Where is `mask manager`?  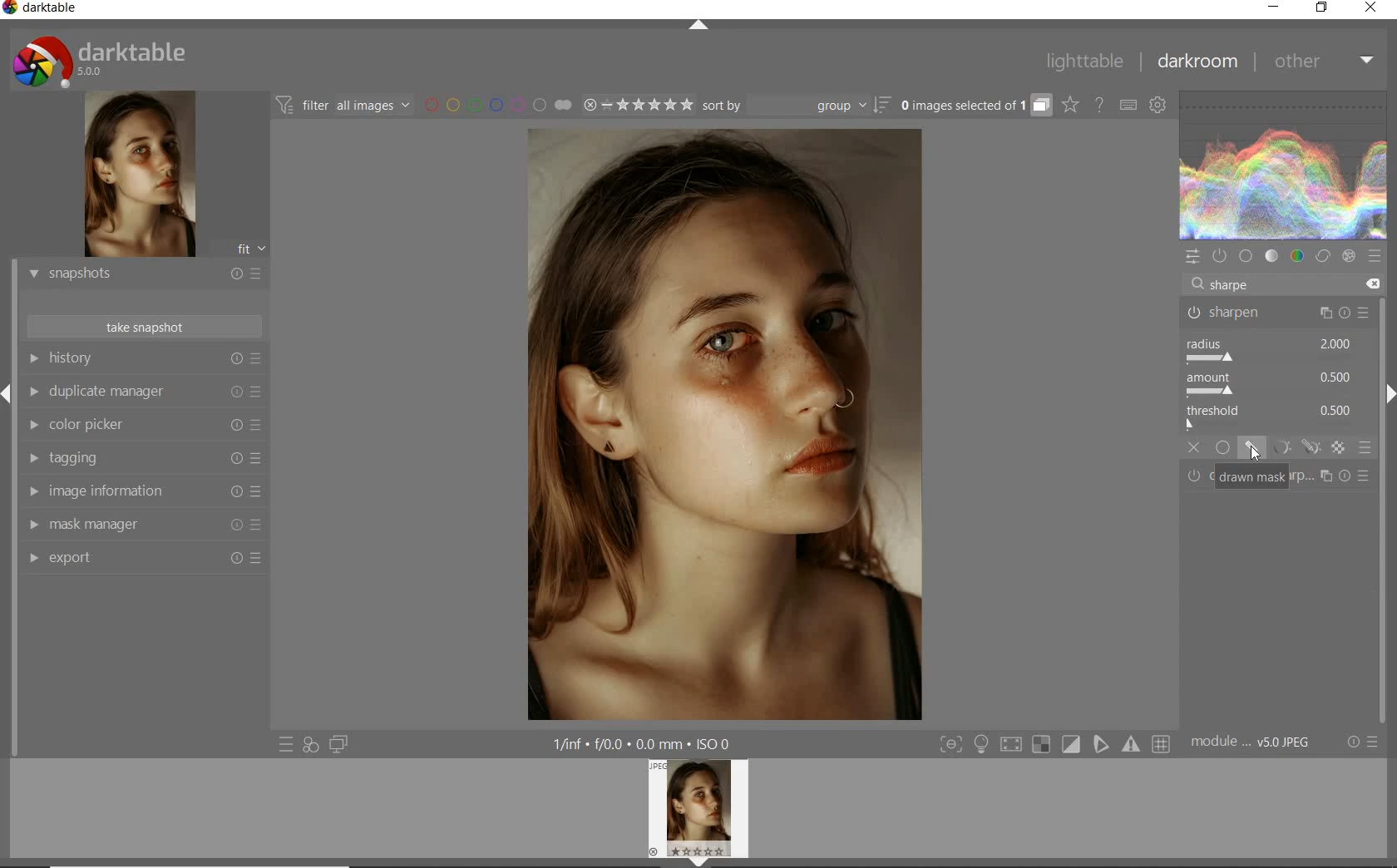
mask manager is located at coordinates (144, 525).